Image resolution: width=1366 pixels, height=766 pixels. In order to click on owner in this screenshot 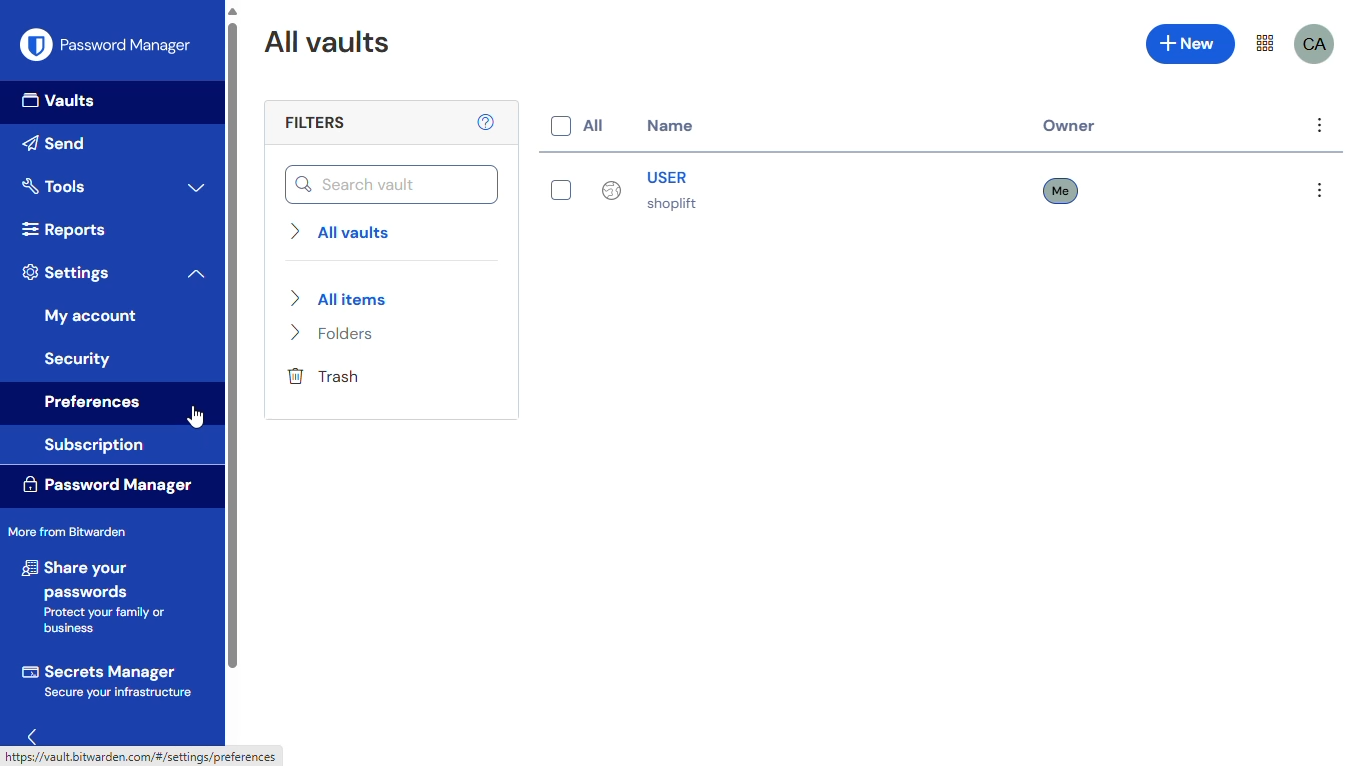, I will do `click(1070, 126)`.